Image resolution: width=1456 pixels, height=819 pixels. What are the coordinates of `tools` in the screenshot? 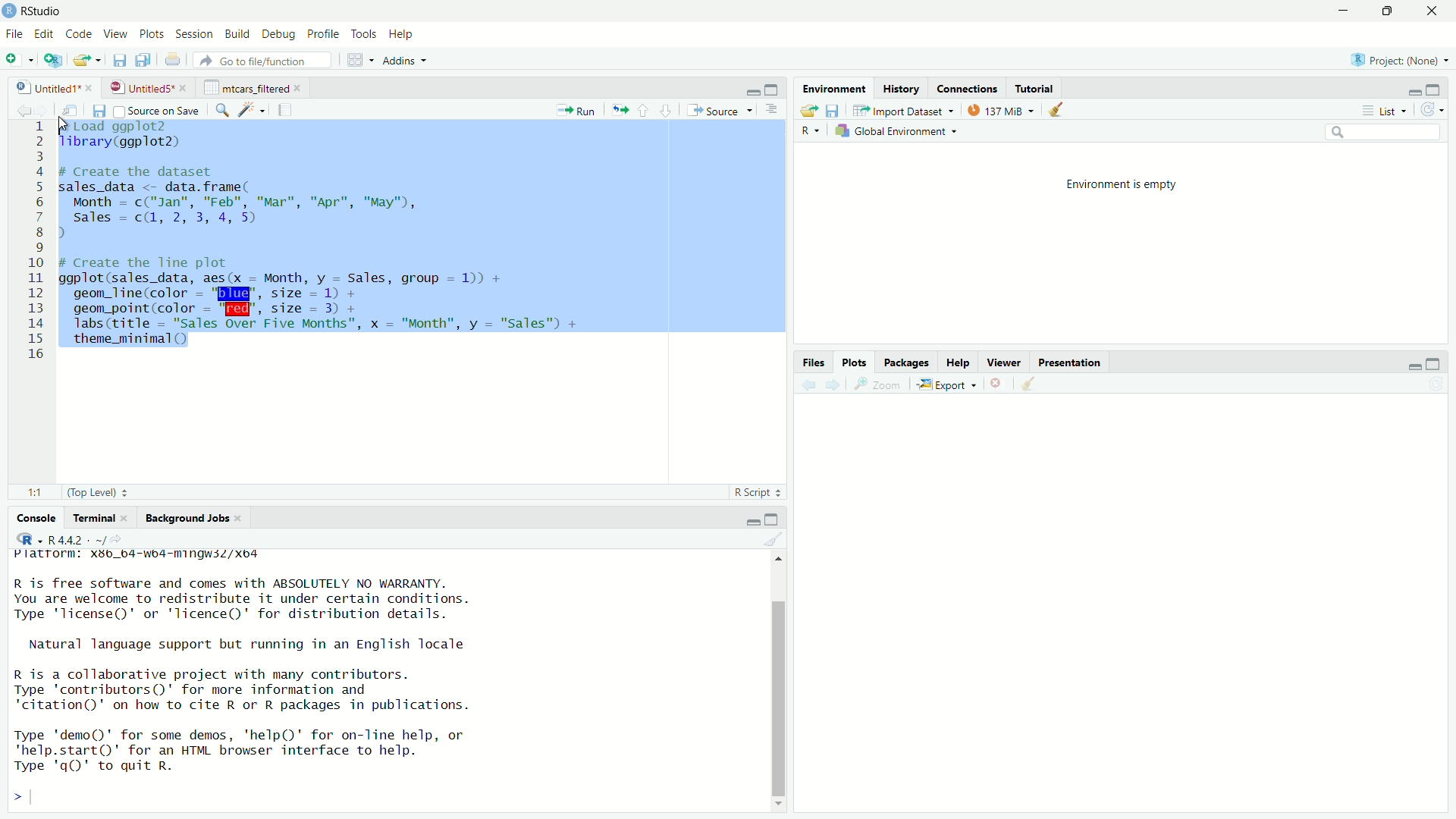 It's located at (366, 35).